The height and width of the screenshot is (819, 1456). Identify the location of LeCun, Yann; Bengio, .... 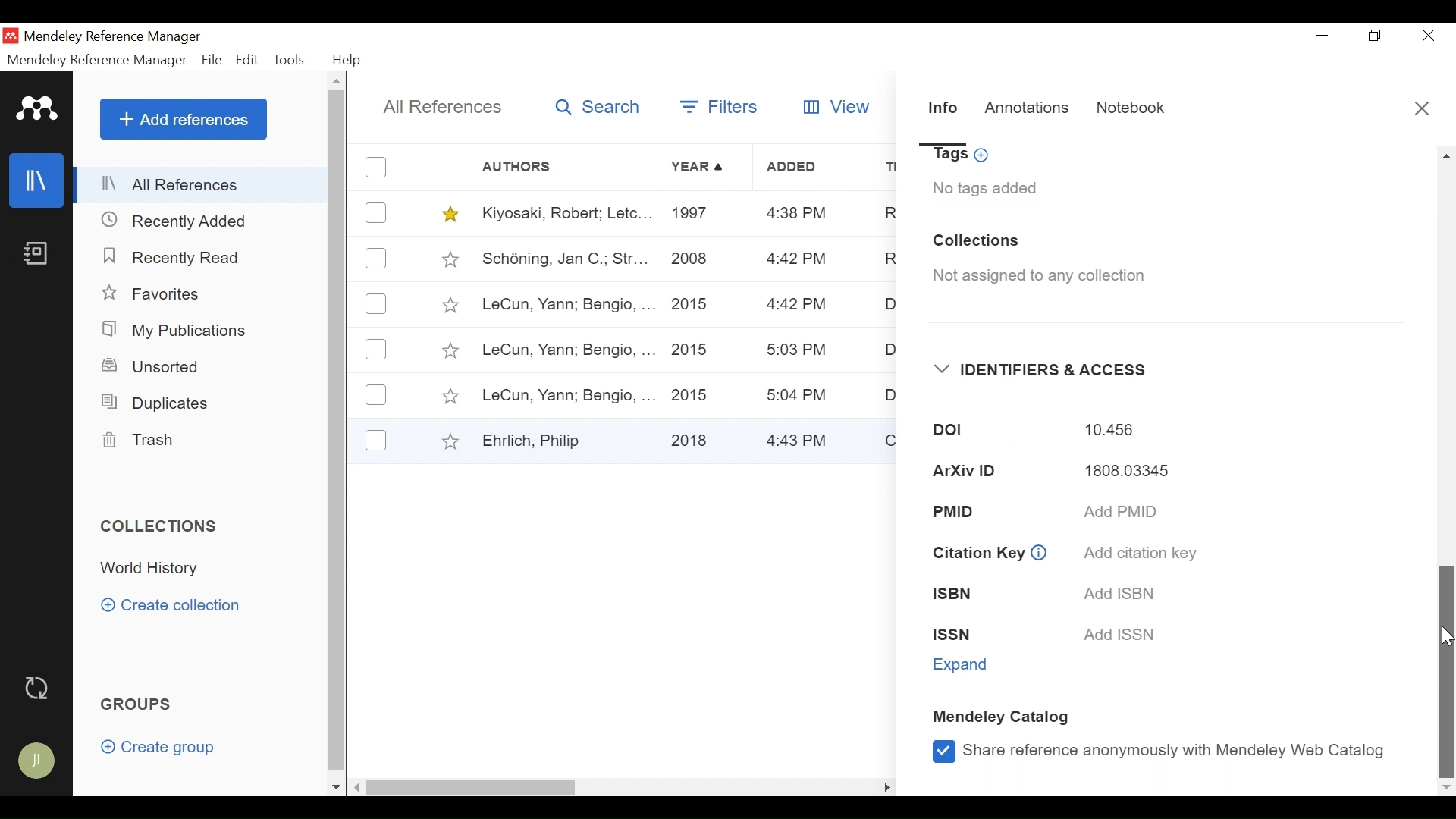
(567, 394).